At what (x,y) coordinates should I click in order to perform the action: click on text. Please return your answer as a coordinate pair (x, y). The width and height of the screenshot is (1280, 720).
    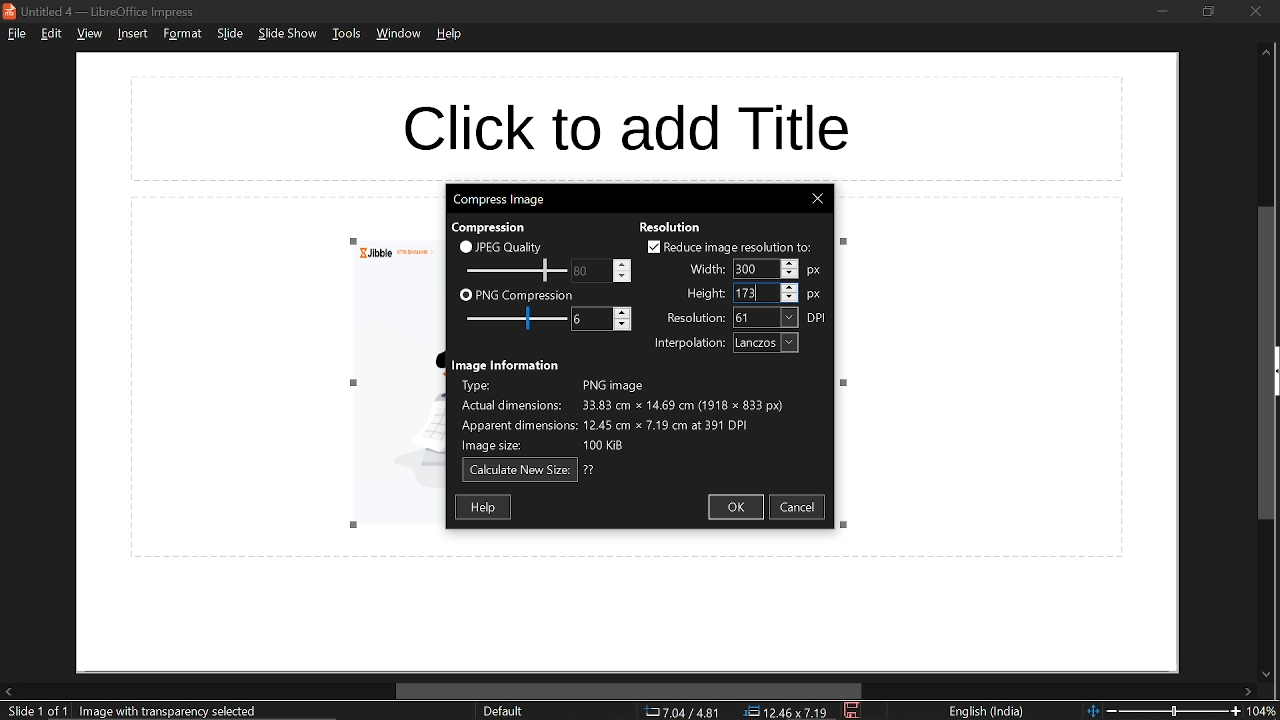
    Looking at the image, I should click on (689, 344).